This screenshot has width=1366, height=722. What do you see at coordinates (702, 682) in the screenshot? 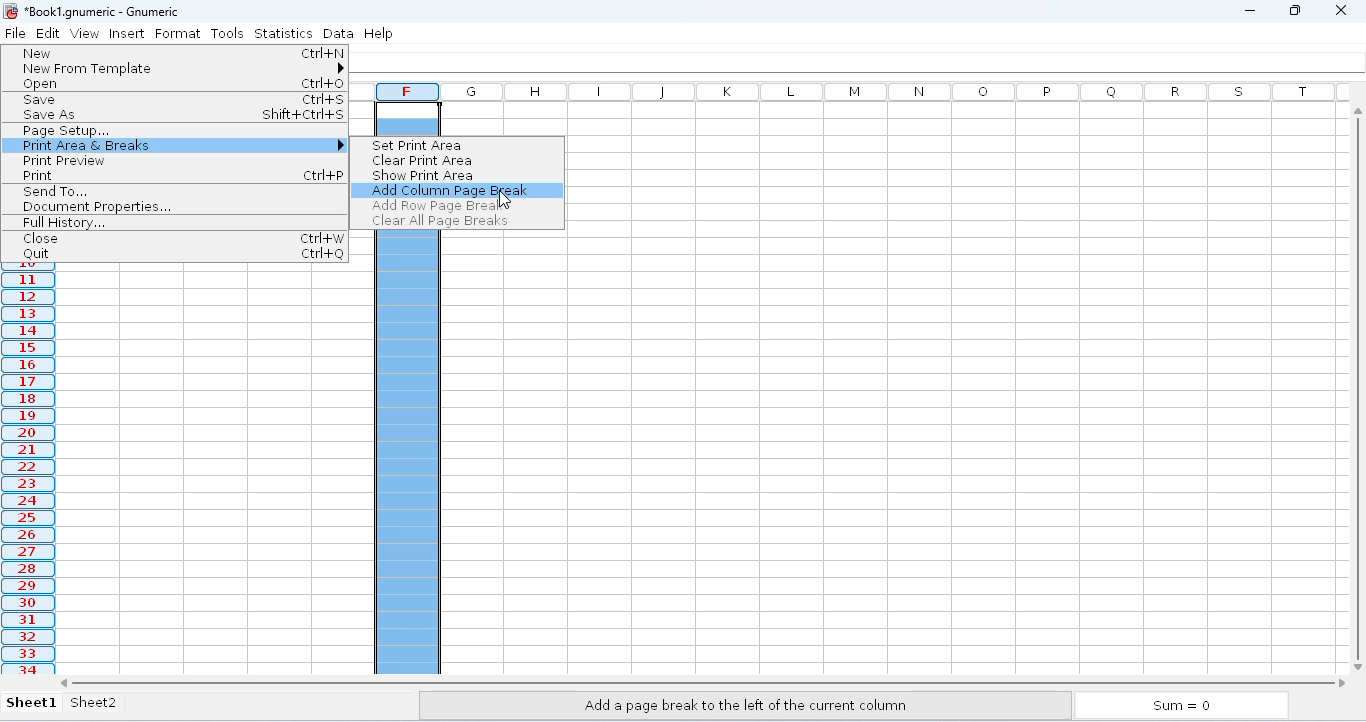
I see `horizontal scroll bar` at bounding box center [702, 682].